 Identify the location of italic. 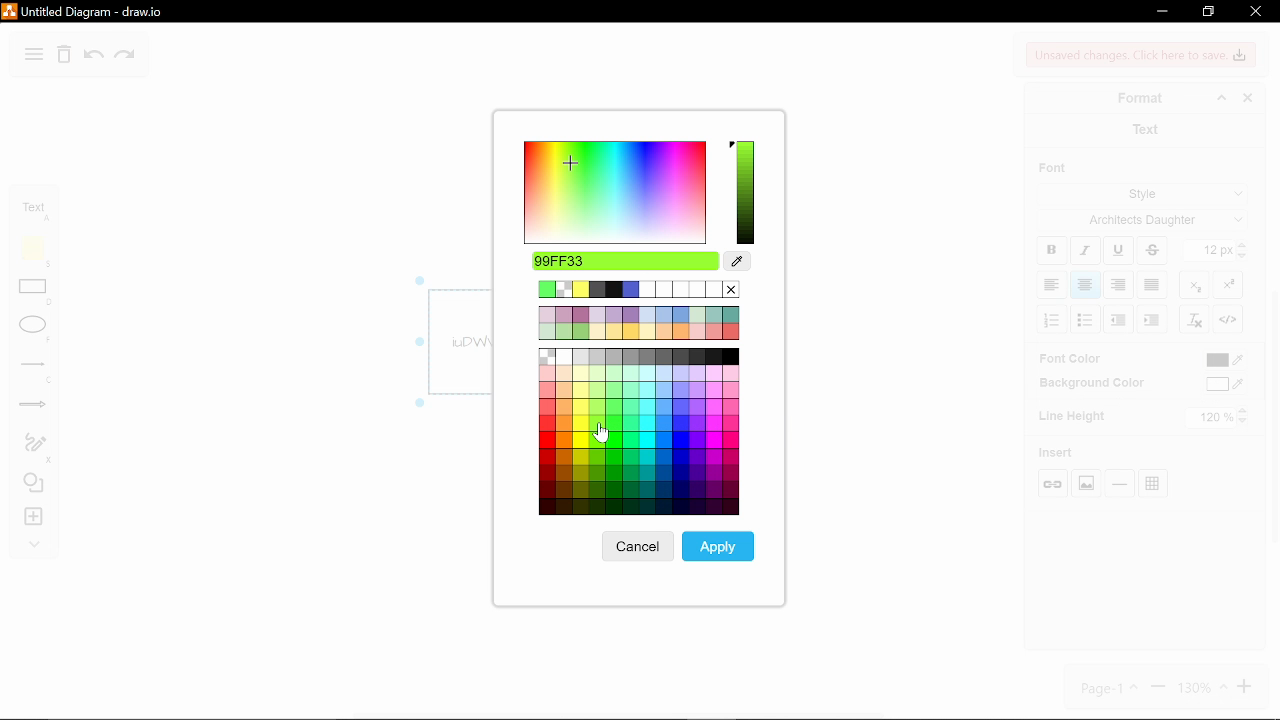
(1086, 250).